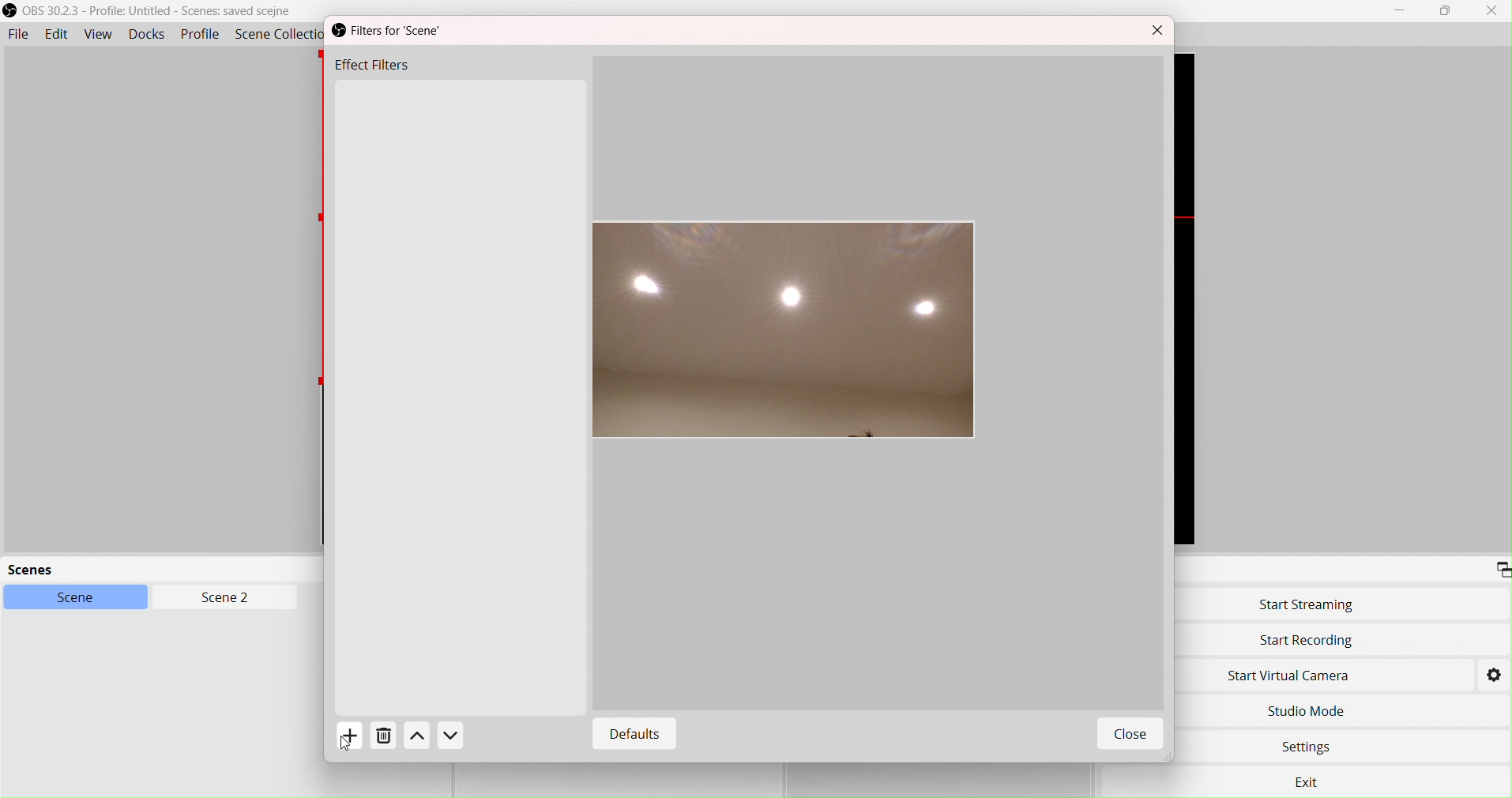 The image size is (1512, 798). Describe the element at coordinates (1307, 641) in the screenshot. I see `Start Recording` at that location.